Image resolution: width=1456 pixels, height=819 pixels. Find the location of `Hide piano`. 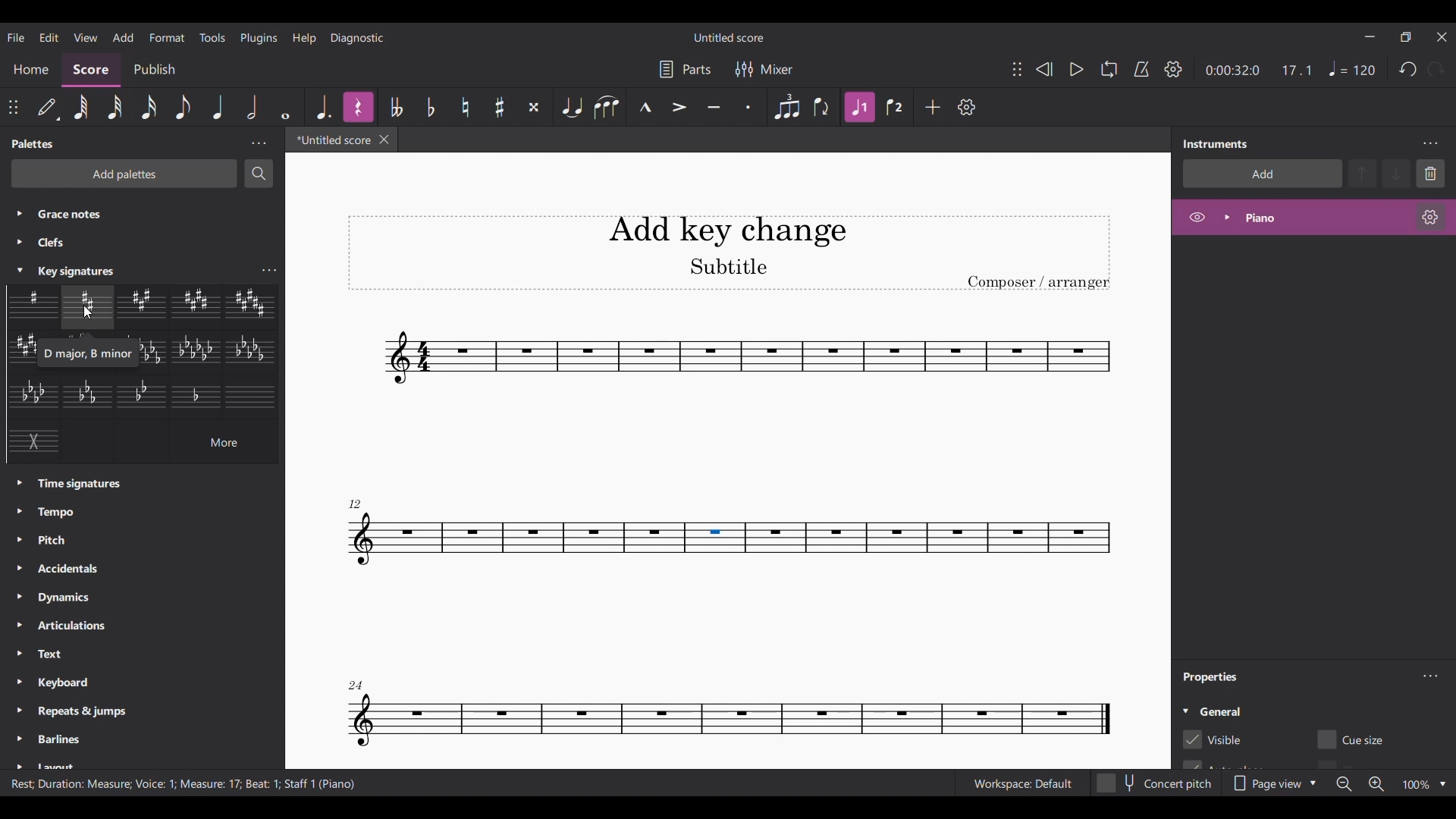

Hide piano is located at coordinates (1197, 217).